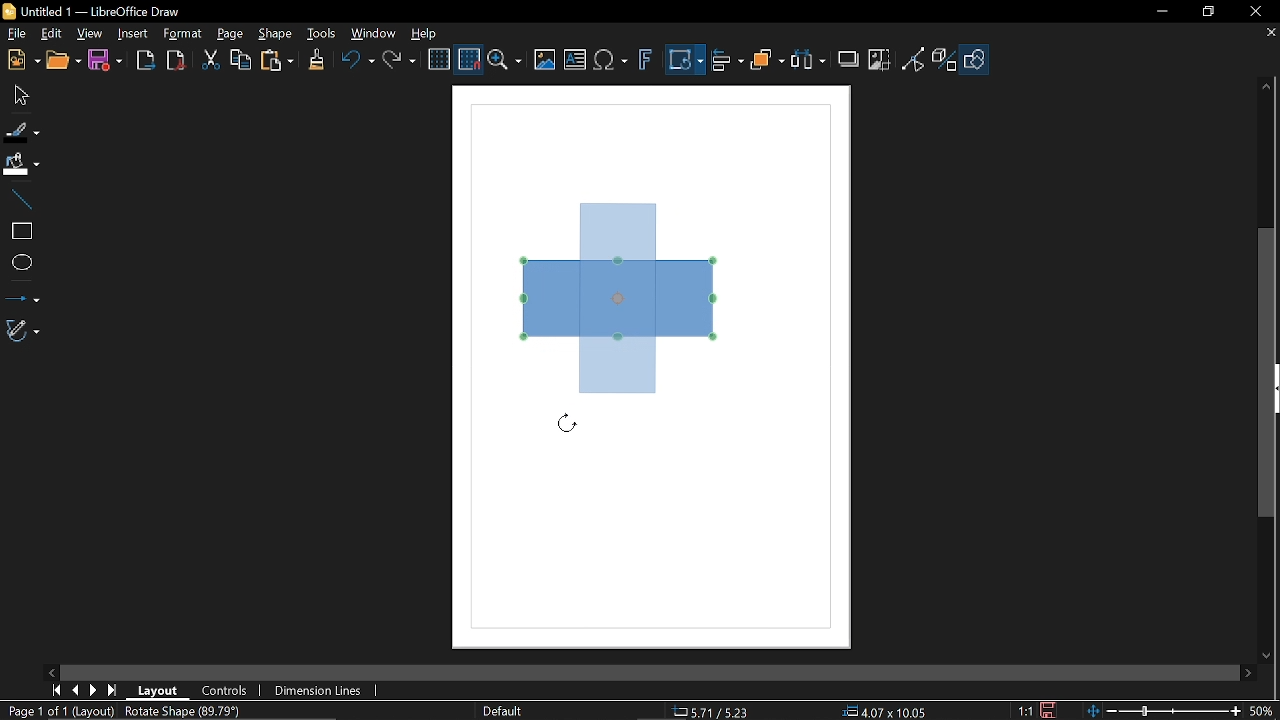  What do you see at coordinates (239, 63) in the screenshot?
I see `Copy` at bounding box center [239, 63].